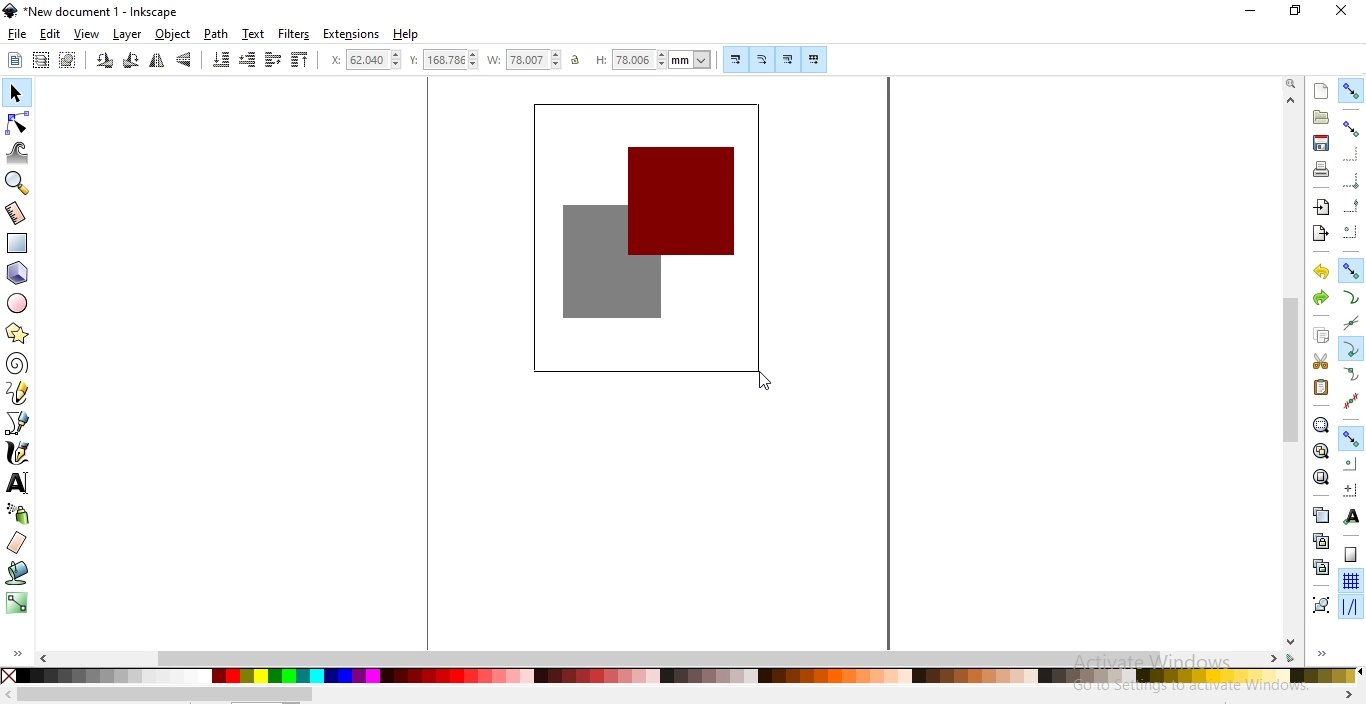  I want to click on text, so click(253, 33).